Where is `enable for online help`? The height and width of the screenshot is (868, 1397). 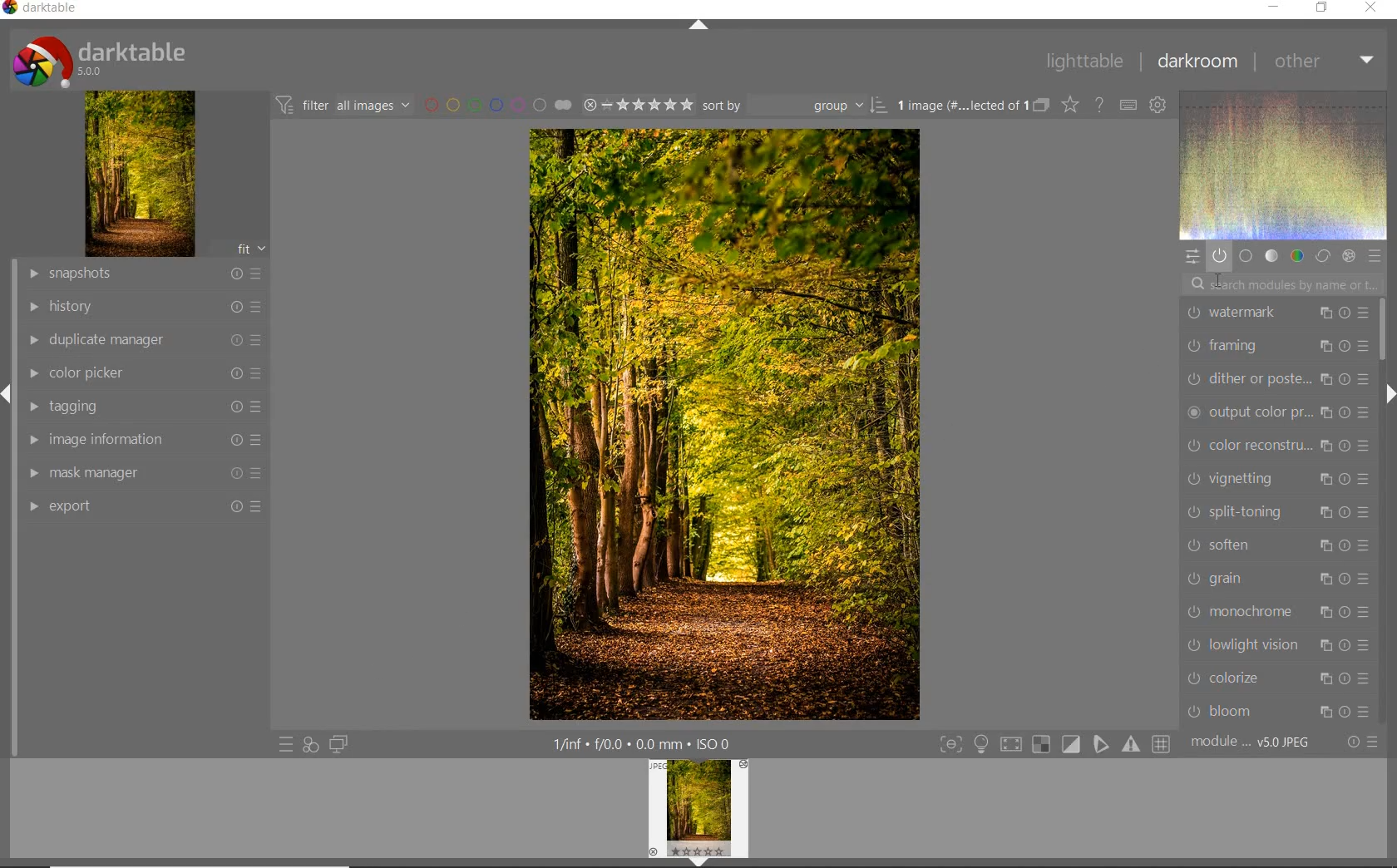
enable for online help is located at coordinates (1101, 105).